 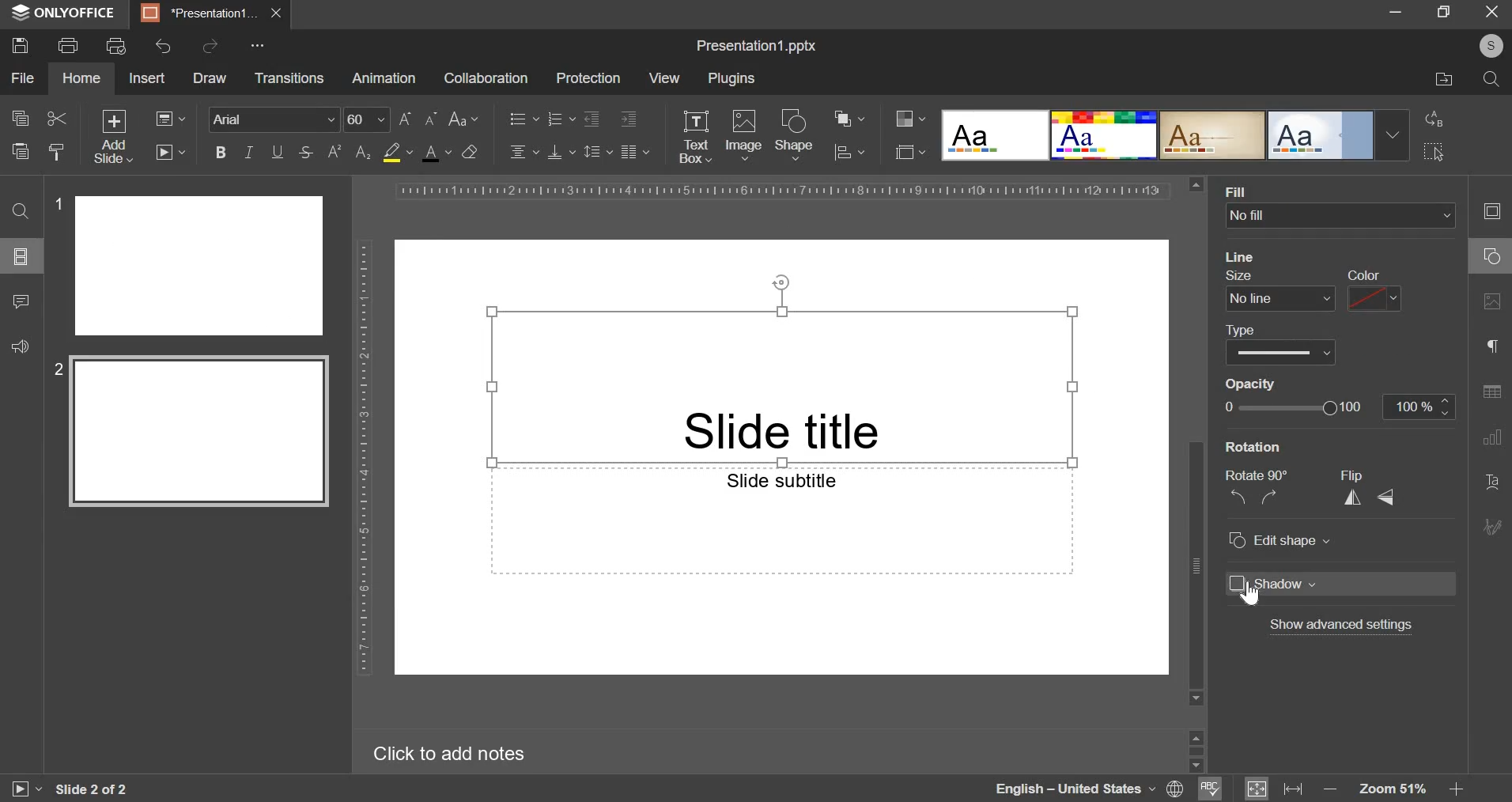 I want to click on configure quick access toolbar, so click(x=260, y=45).